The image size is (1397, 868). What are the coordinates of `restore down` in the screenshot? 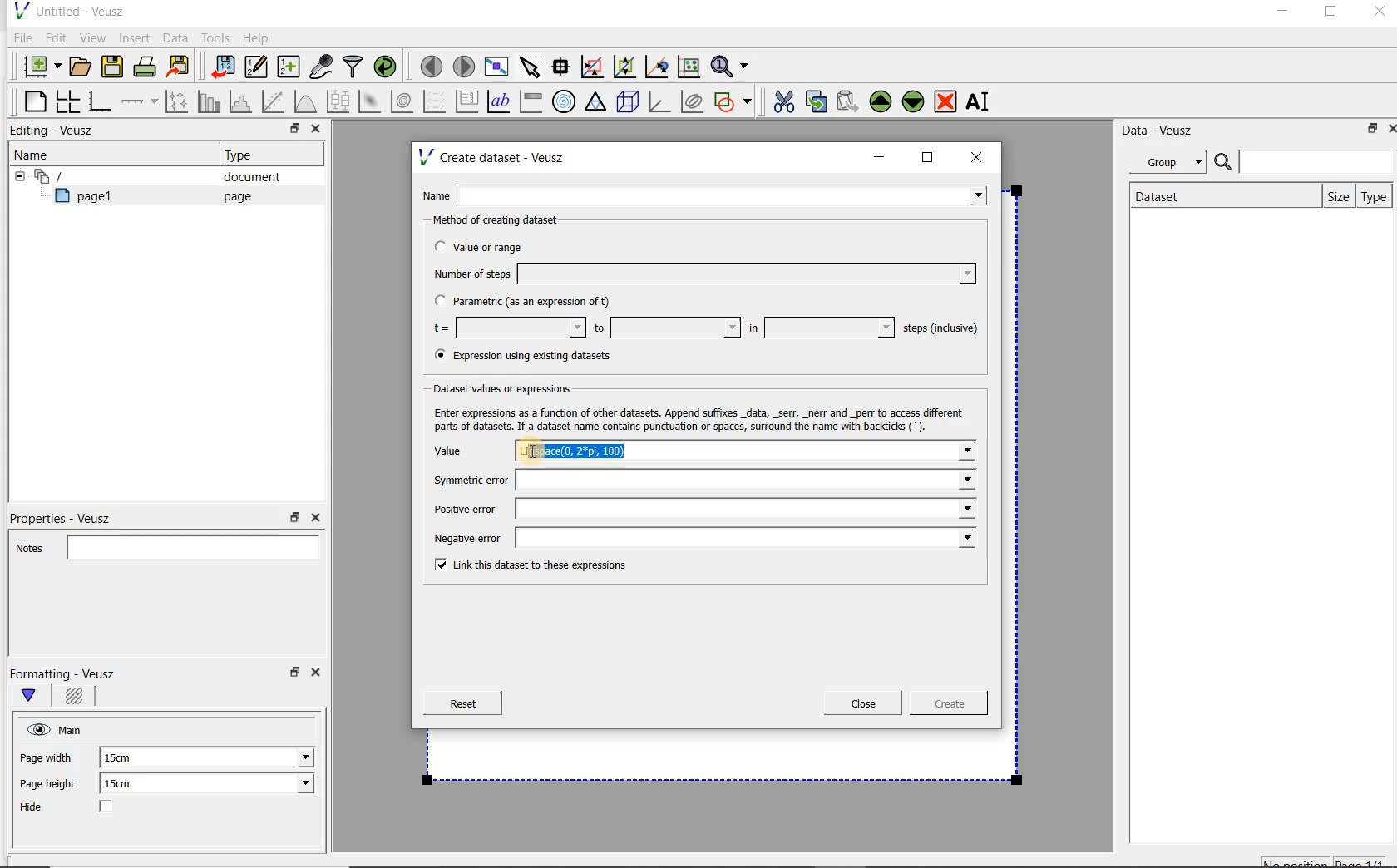 It's located at (293, 677).